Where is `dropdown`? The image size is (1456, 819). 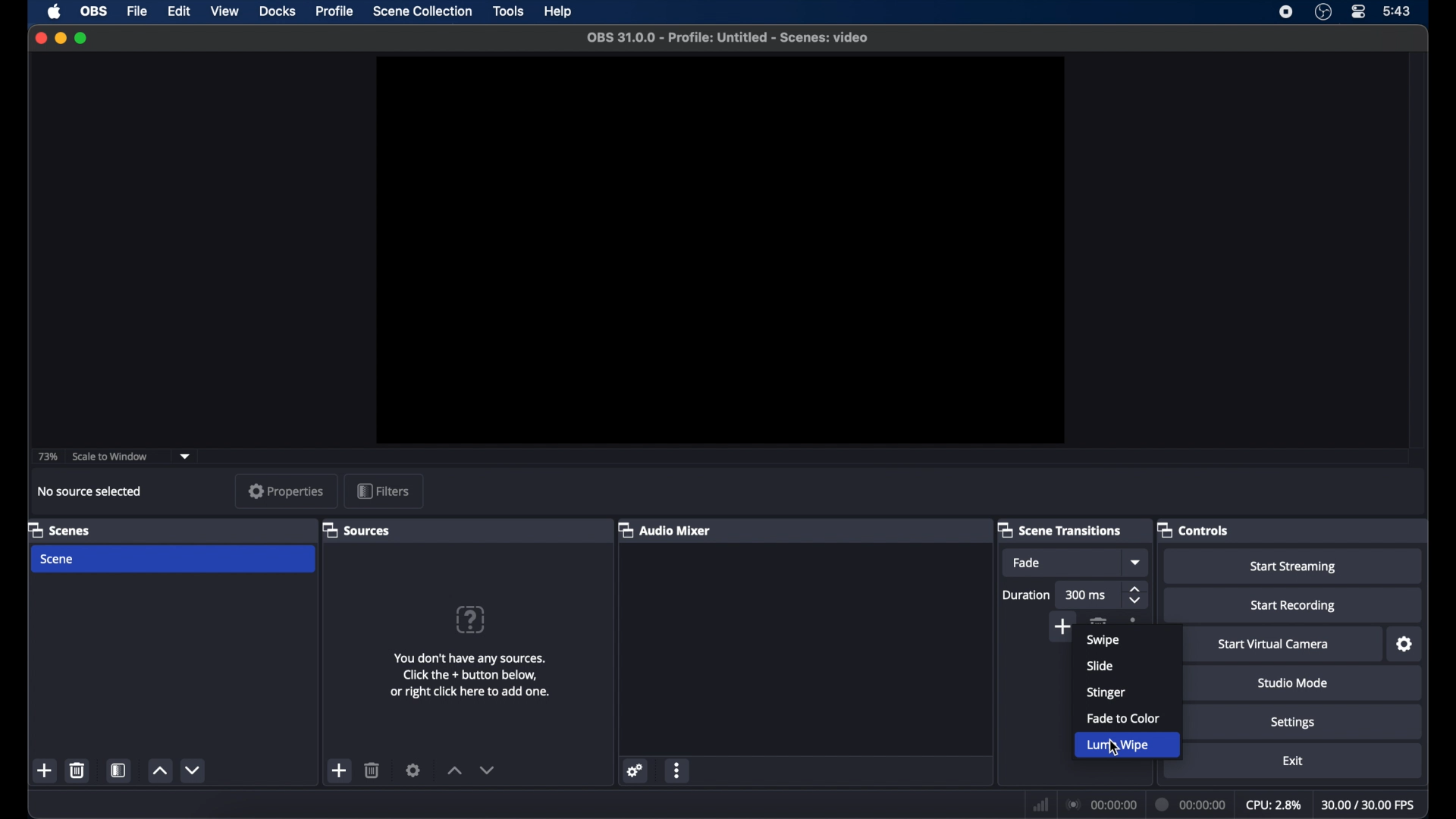
dropdown is located at coordinates (1134, 561).